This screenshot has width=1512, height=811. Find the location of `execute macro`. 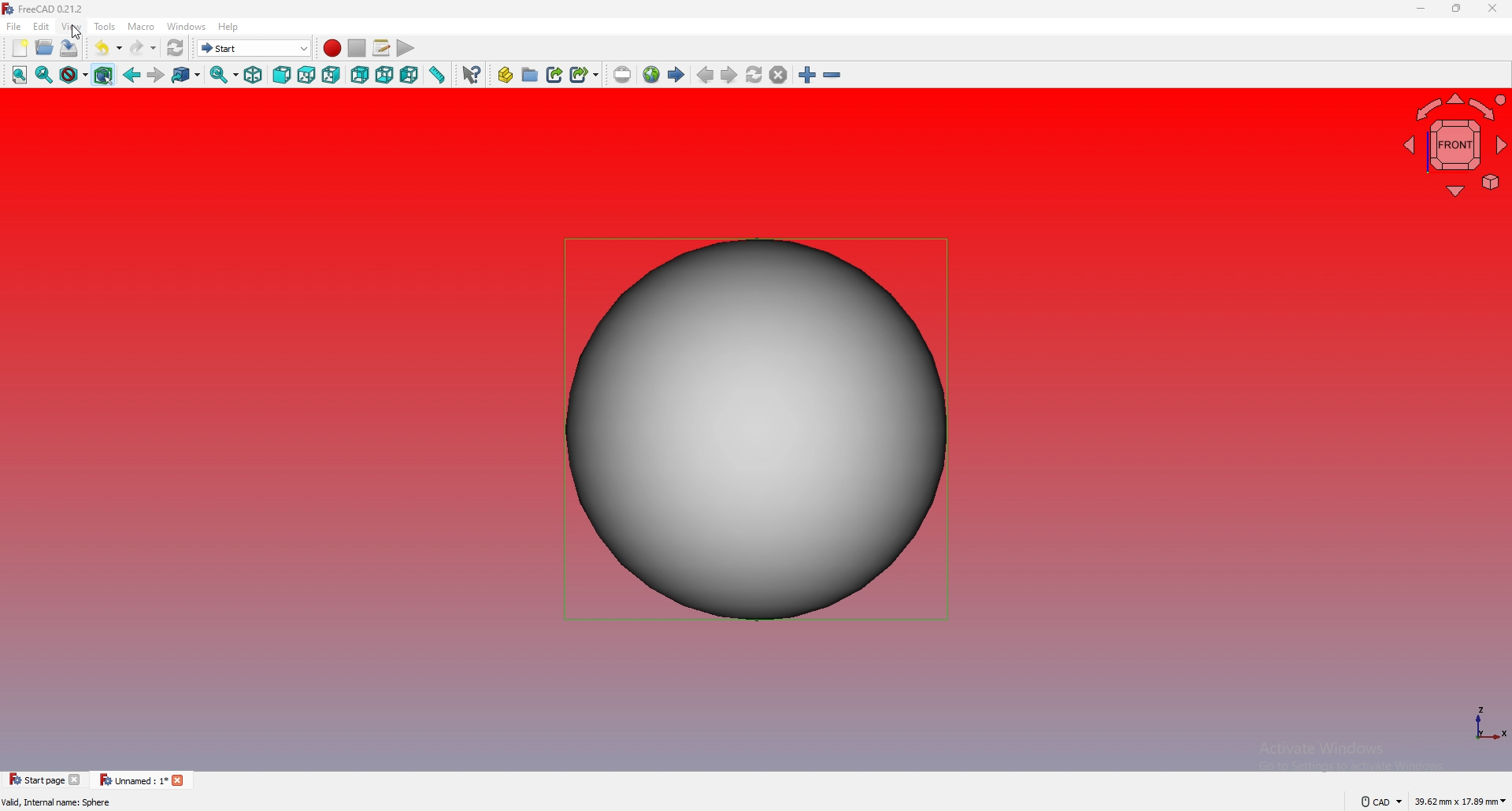

execute macro is located at coordinates (406, 48).